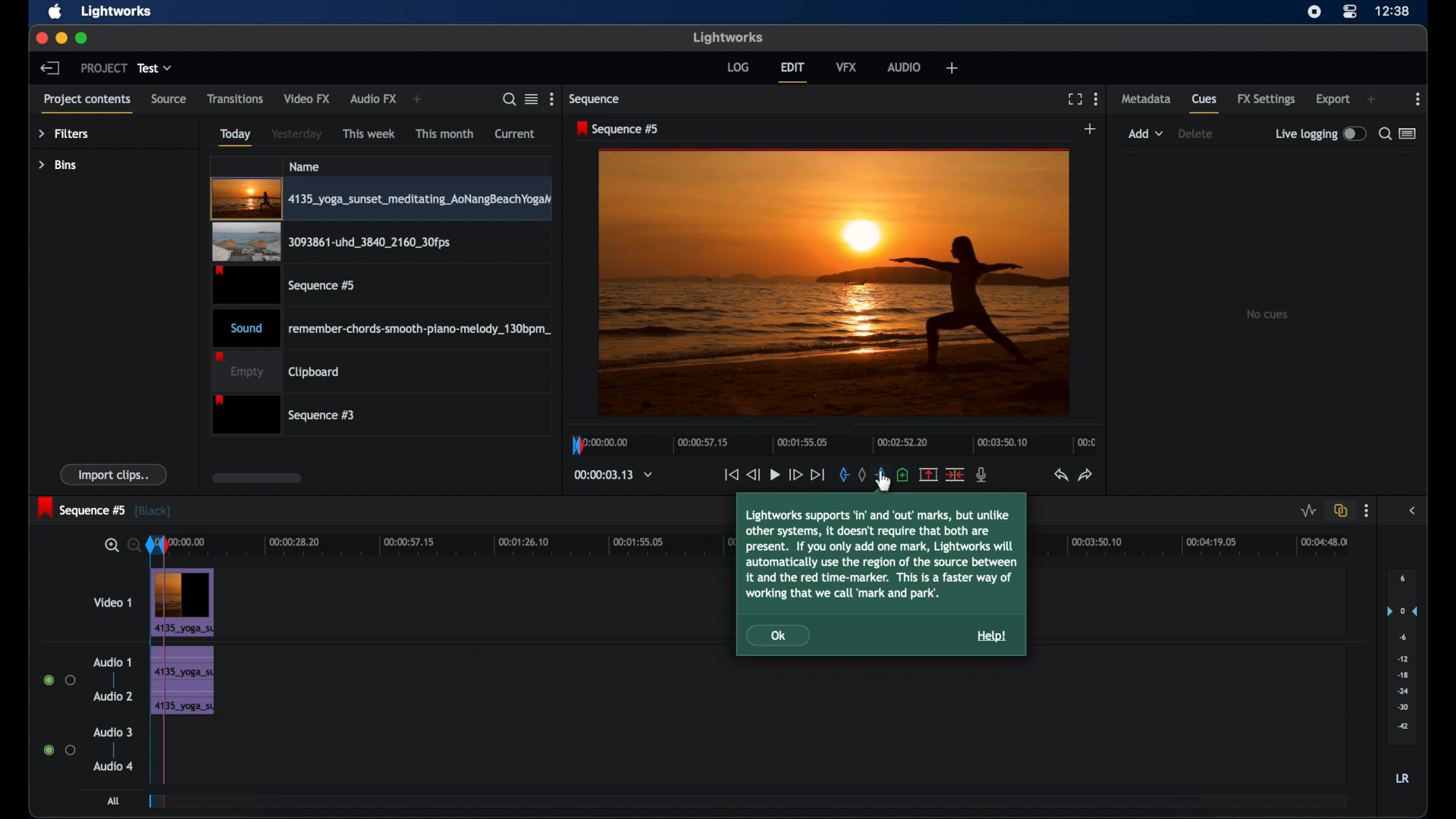 This screenshot has height=819, width=1456. What do you see at coordinates (1367, 511) in the screenshot?
I see `more options` at bounding box center [1367, 511].